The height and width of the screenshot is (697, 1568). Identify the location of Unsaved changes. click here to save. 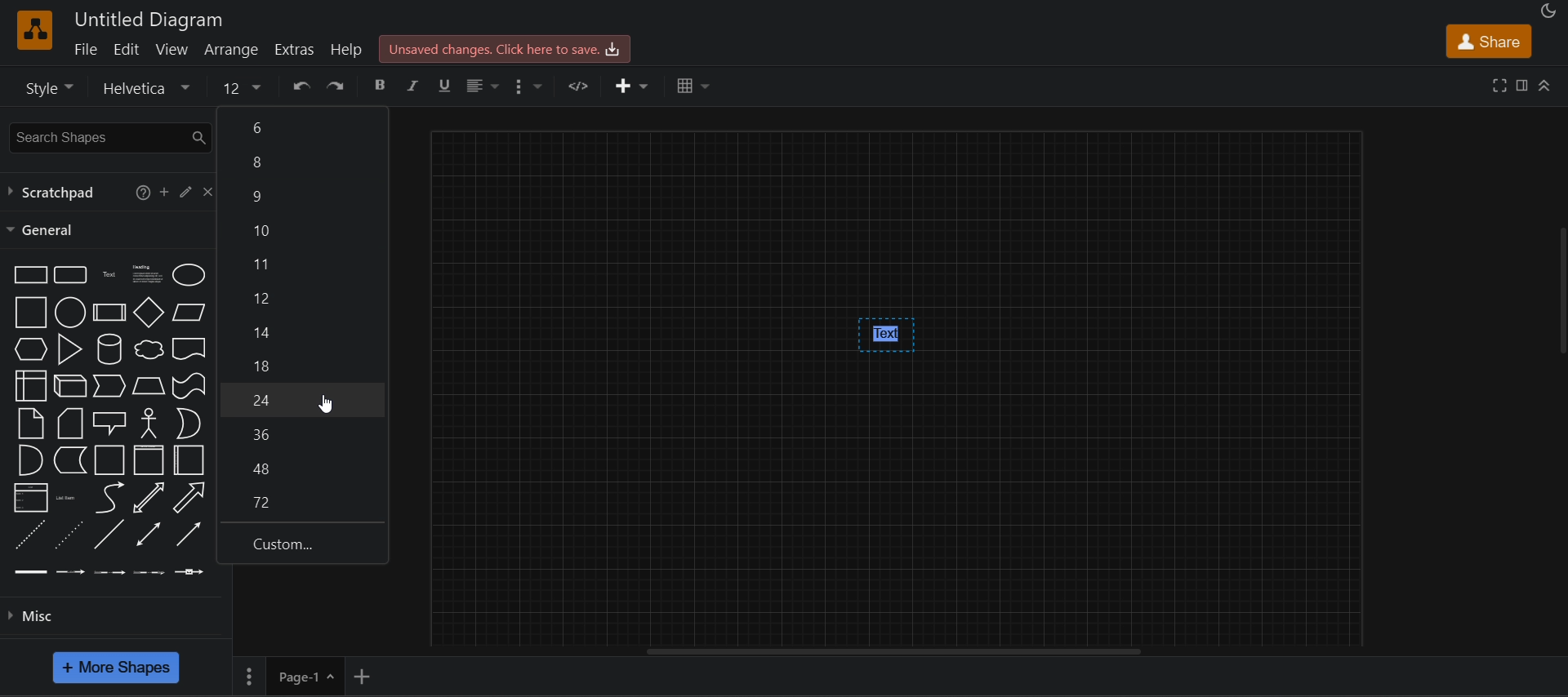
(506, 49).